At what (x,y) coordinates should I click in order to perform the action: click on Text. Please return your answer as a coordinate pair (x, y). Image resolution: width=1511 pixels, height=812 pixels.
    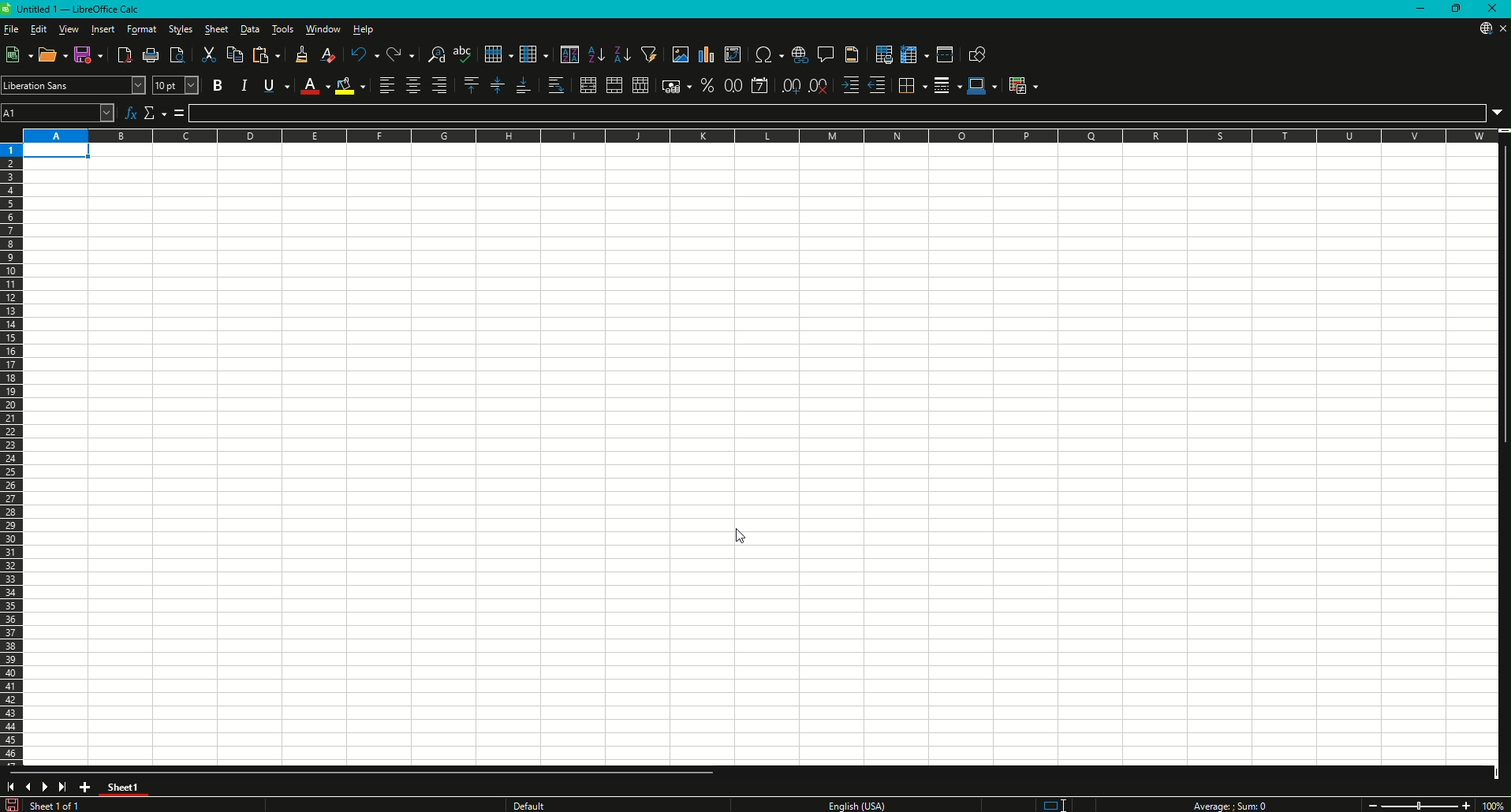
    Looking at the image, I should click on (855, 805).